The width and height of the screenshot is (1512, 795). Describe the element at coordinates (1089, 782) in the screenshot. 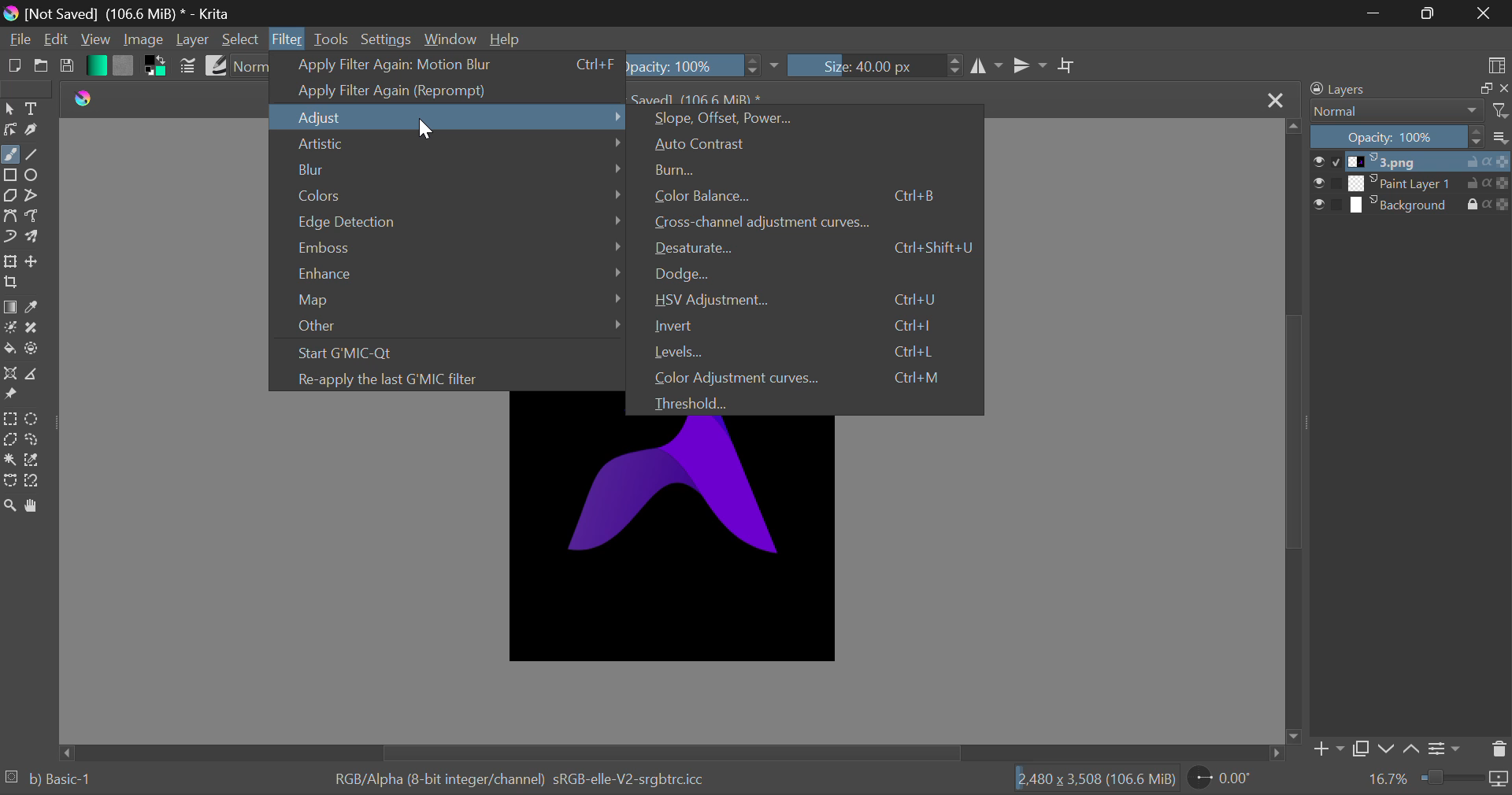

I see `2480 x 3,508 (106.6 MiB)` at that location.